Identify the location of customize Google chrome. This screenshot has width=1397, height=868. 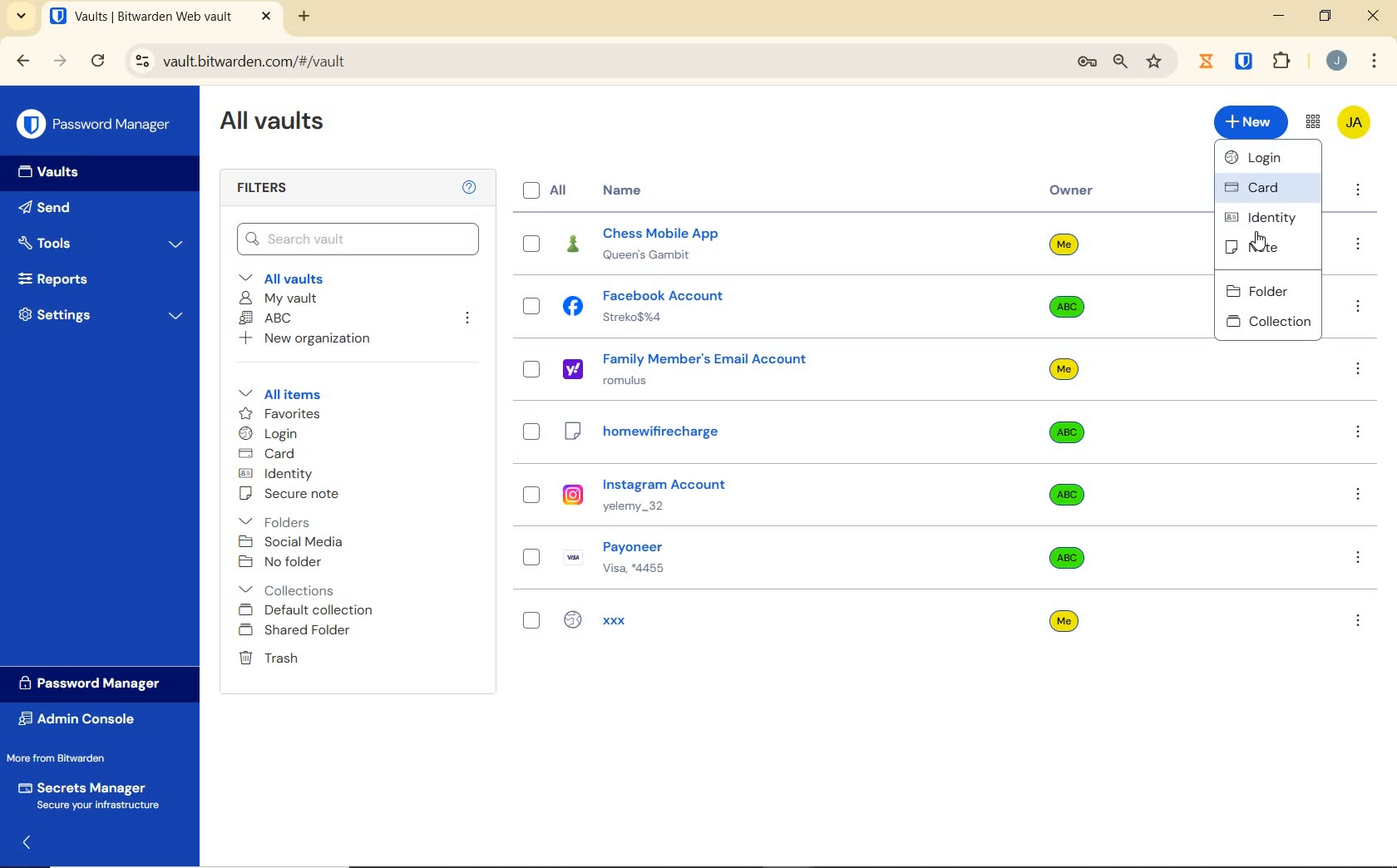
(1374, 62).